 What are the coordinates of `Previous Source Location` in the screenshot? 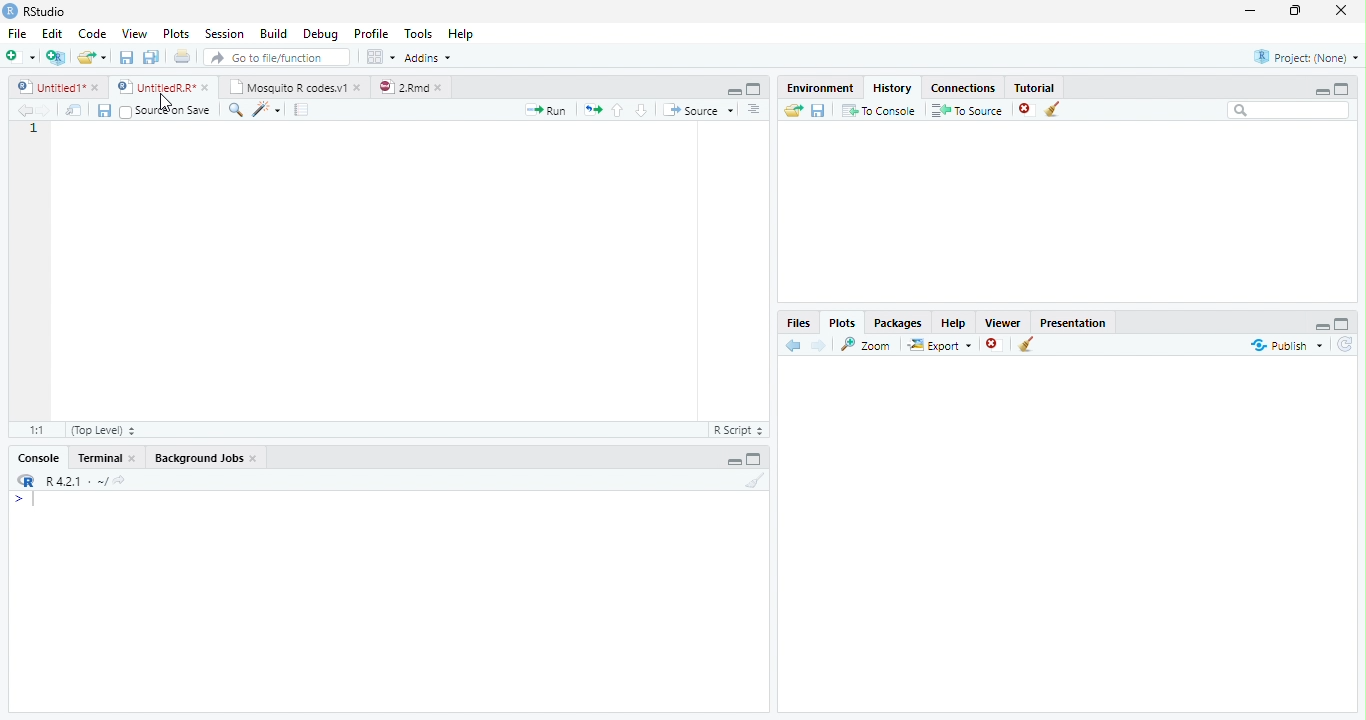 It's located at (22, 110).